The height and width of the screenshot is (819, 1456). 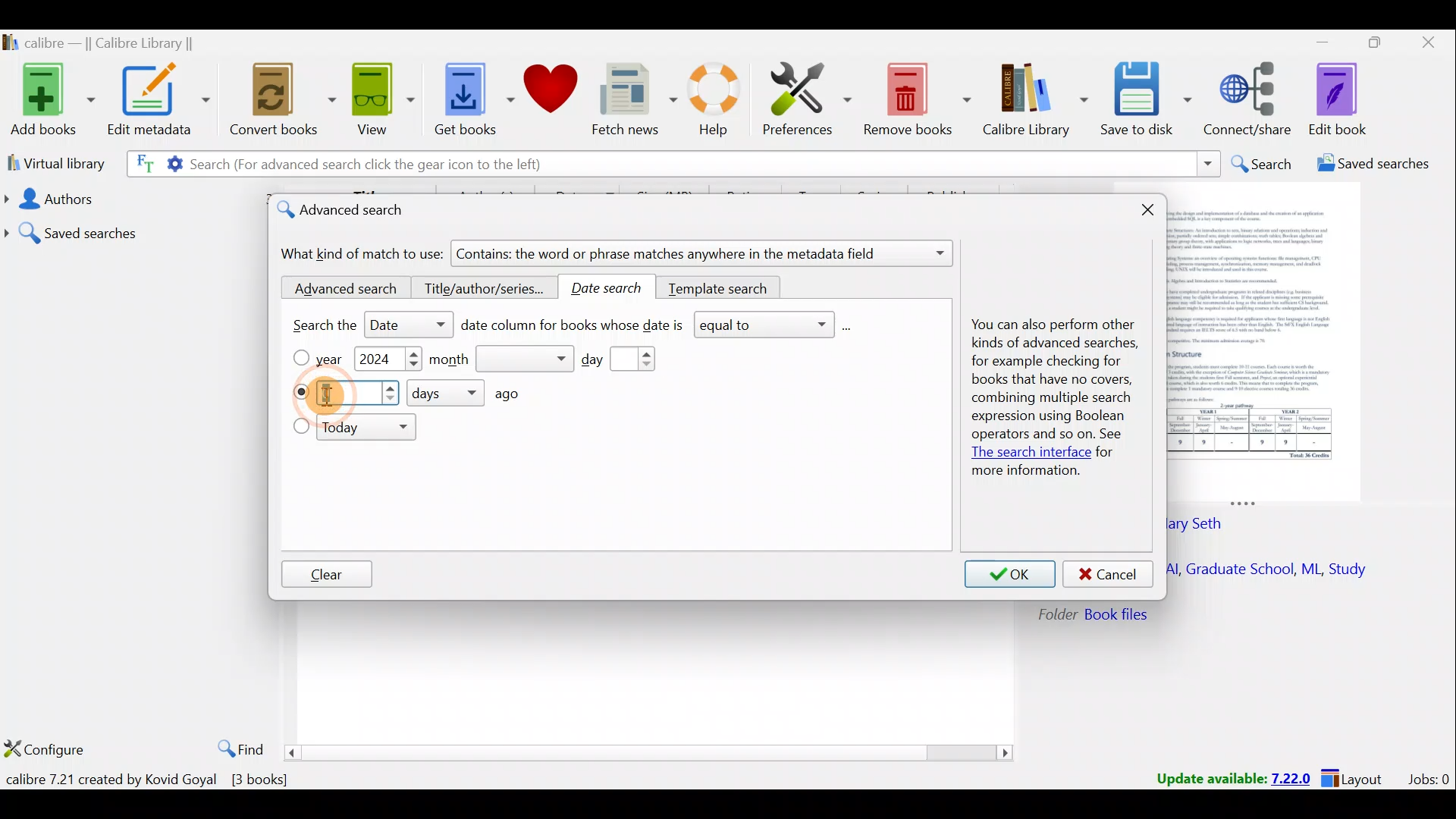 I want to click on Remove books, so click(x=916, y=96).